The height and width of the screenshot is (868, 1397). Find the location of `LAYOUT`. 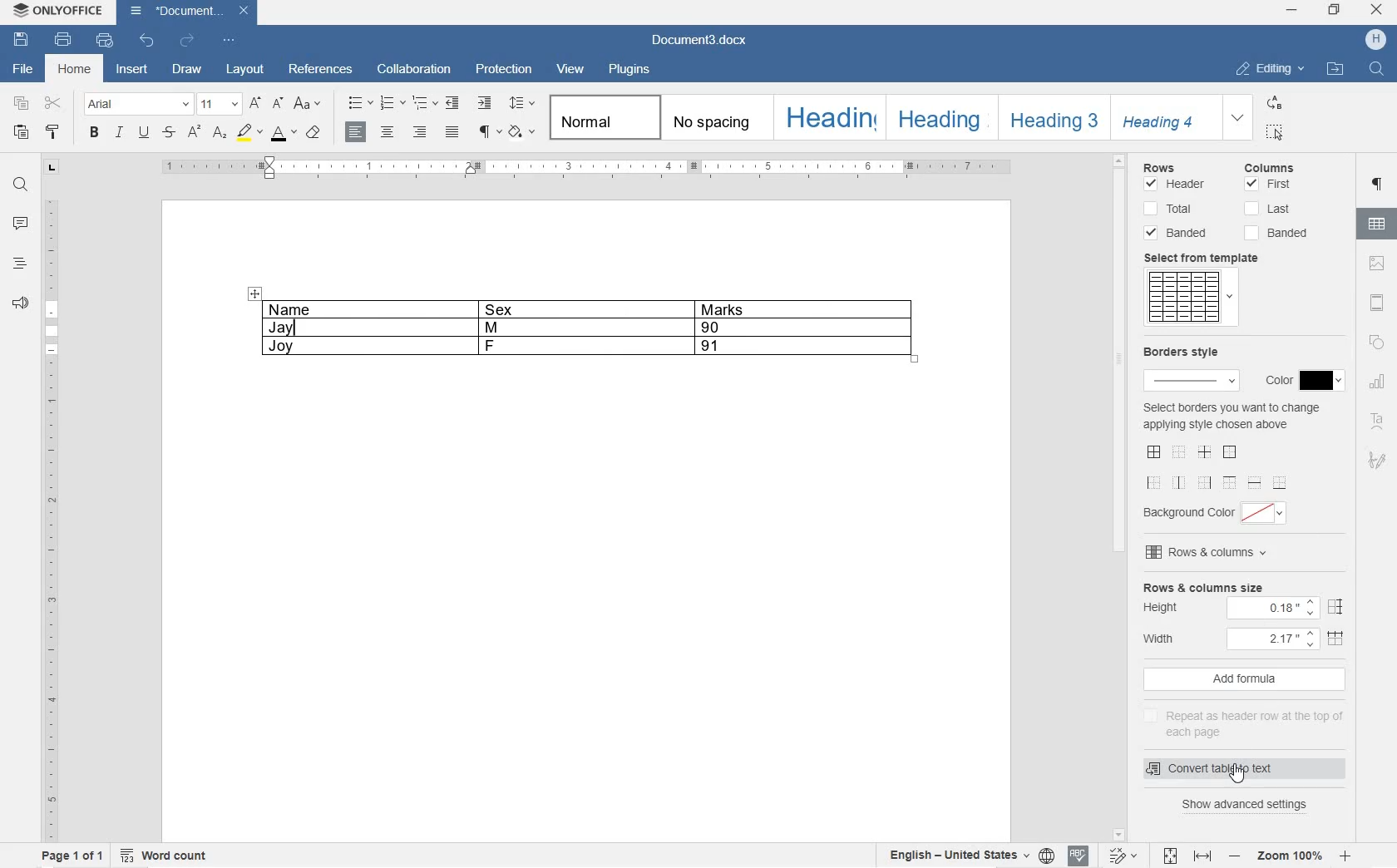

LAYOUT is located at coordinates (243, 70).